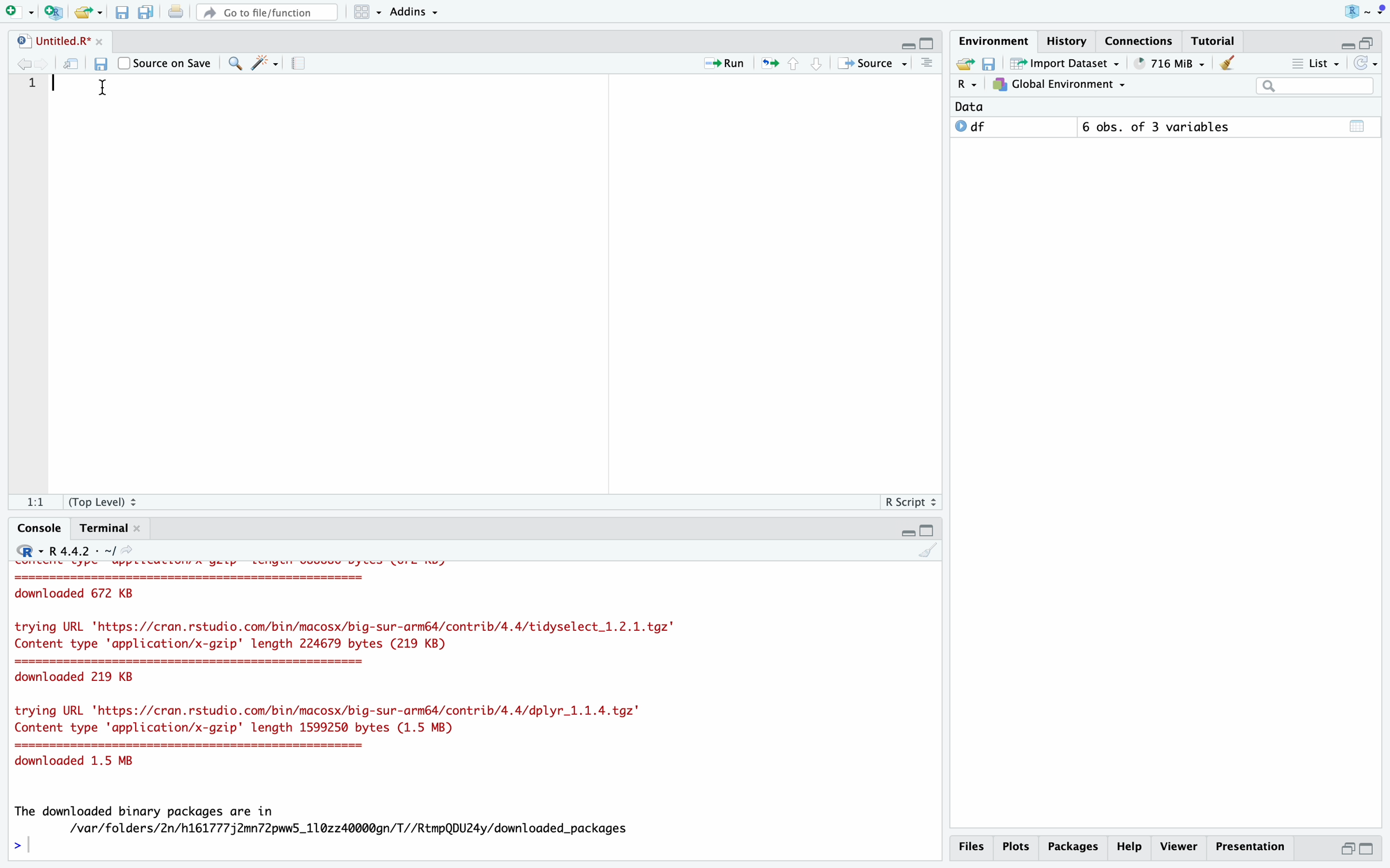 This screenshot has width=1390, height=868. Describe the element at coordinates (1068, 41) in the screenshot. I see `History` at that location.